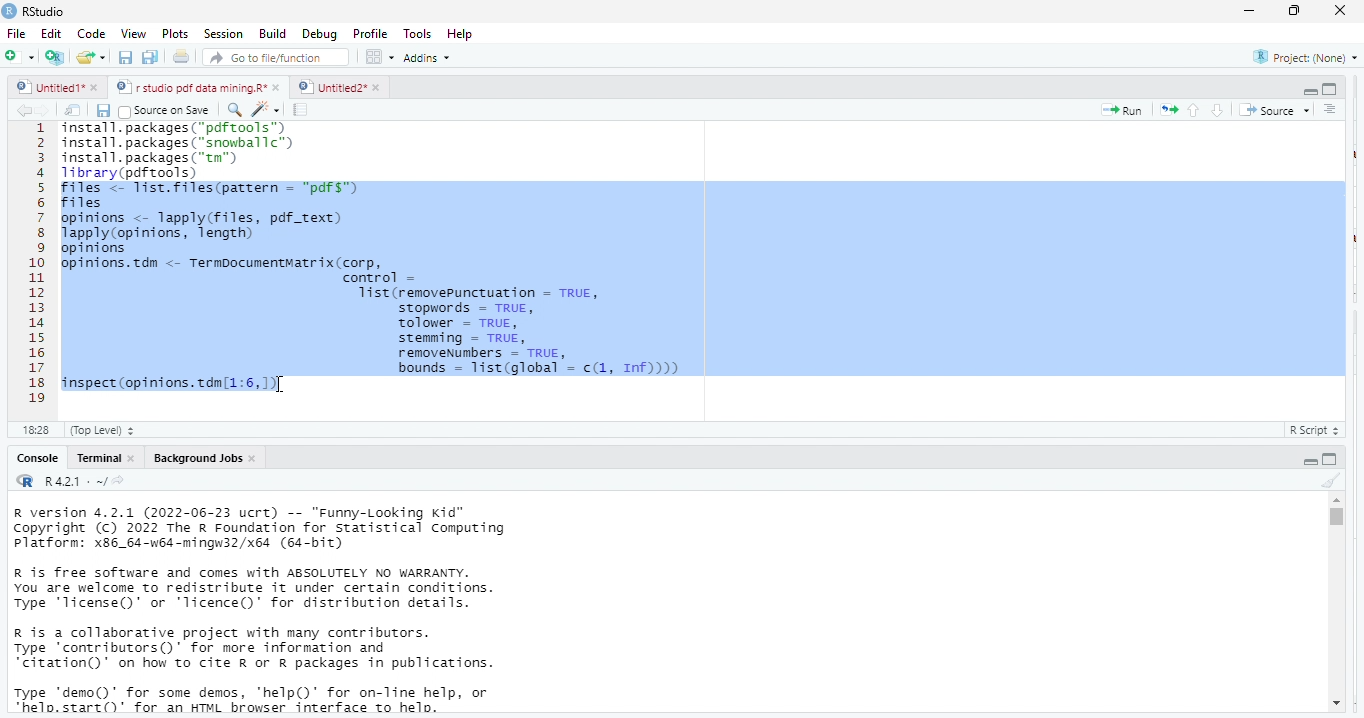 This screenshot has height=718, width=1364. I want to click on run, so click(1122, 110).